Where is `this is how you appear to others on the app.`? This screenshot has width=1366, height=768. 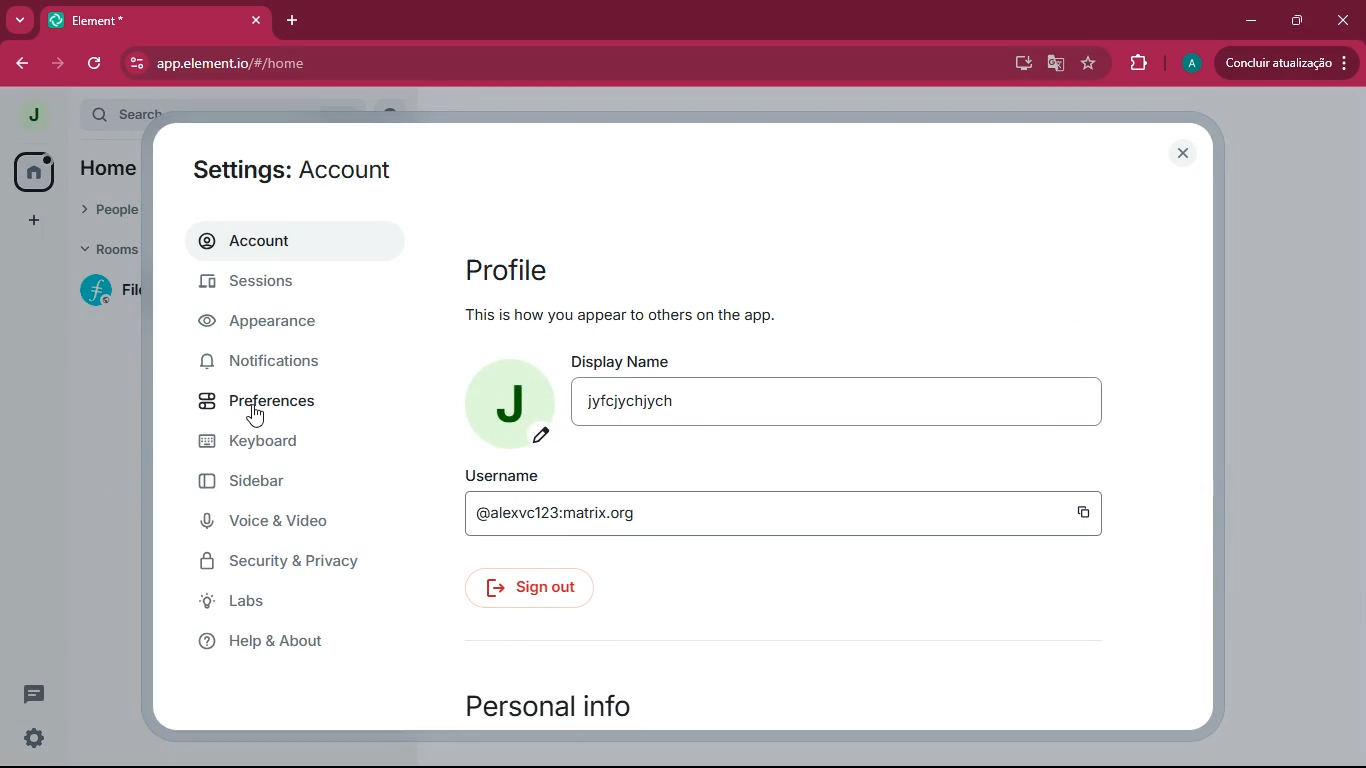 this is how you appear to others on the app. is located at coordinates (620, 315).